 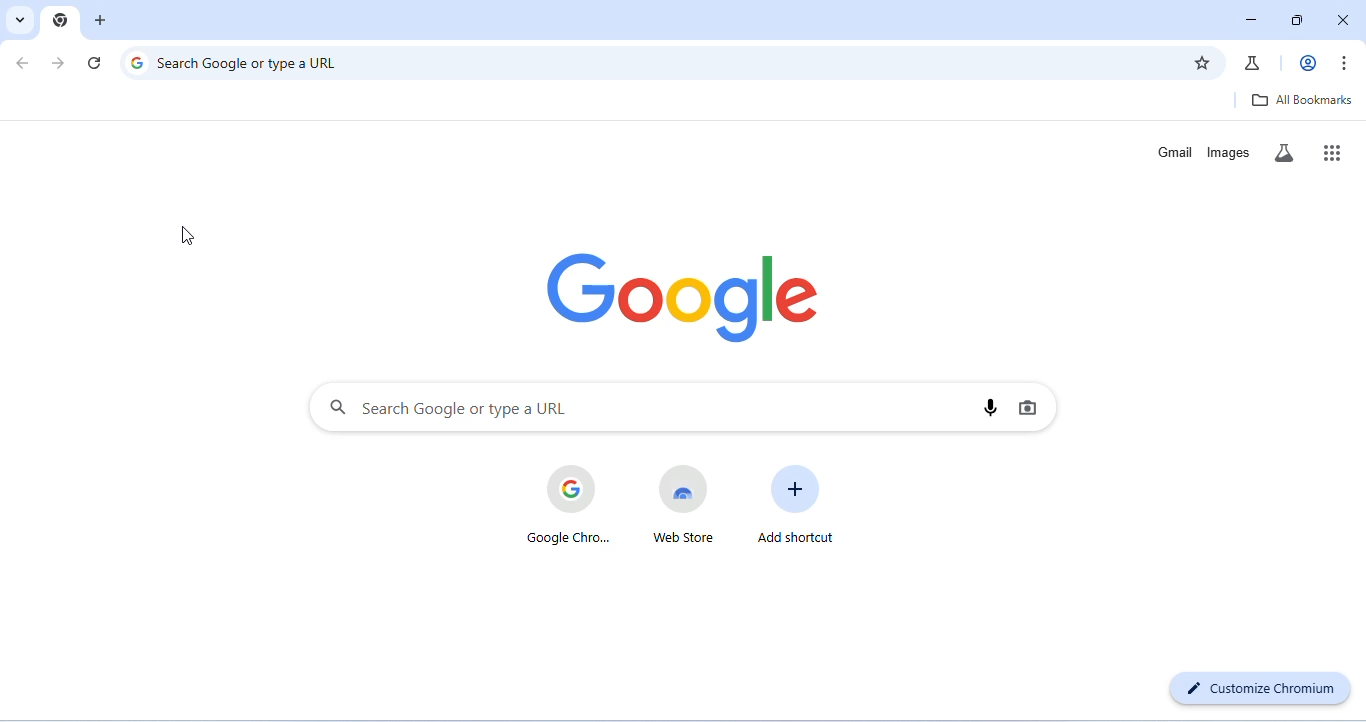 I want to click on cursor, so click(x=190, y=236).